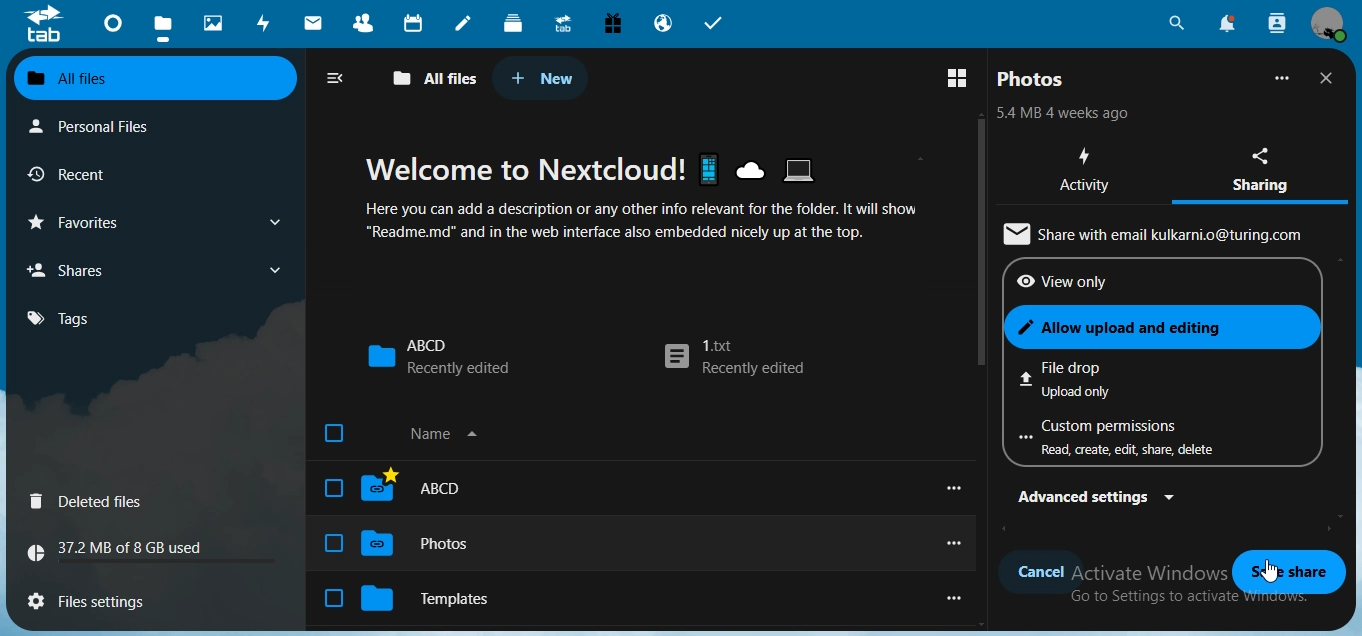 Image resolution: width=1362 pixels, height=636 pixels. Describe the element at coordinates (103, 175) in the screenshot. I see `recent` at that location.